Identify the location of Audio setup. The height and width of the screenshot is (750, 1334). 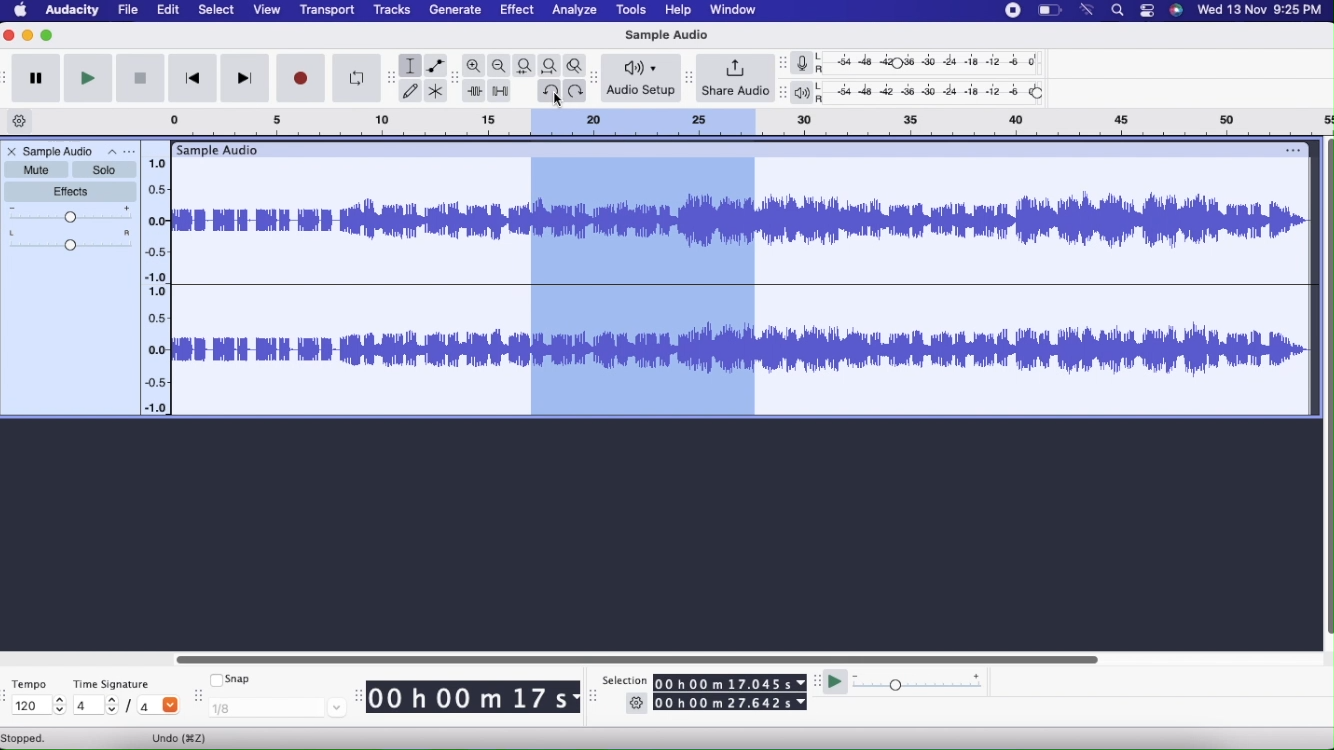
(640, 78).